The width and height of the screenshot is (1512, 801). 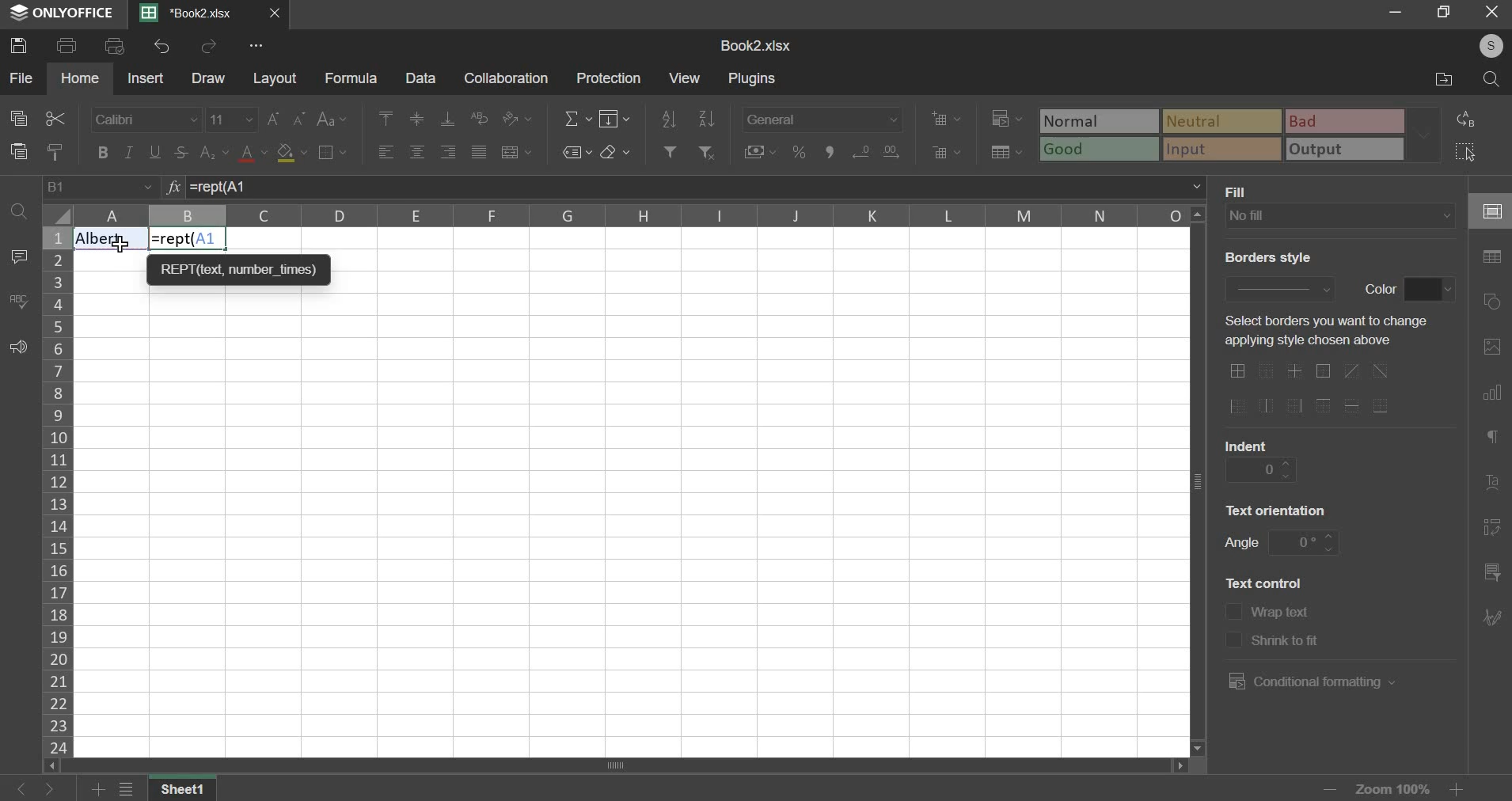 What do you see at coordinates (145, 78) in the screenshot?
I see `insert` at bounding box center [145, 78].